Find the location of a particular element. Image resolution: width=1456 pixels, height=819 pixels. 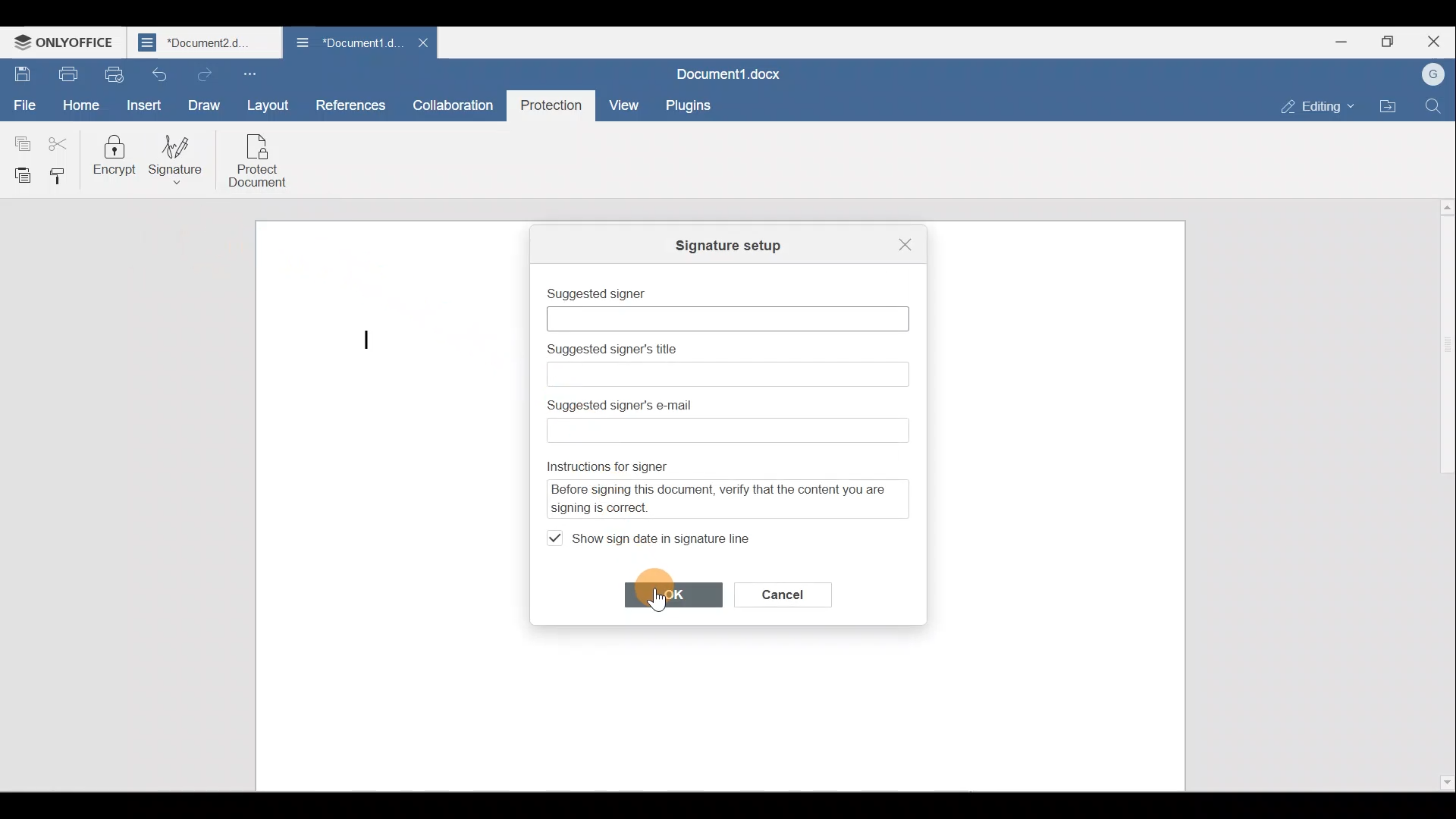

Editing mode is located at coordinates (1320, 106).